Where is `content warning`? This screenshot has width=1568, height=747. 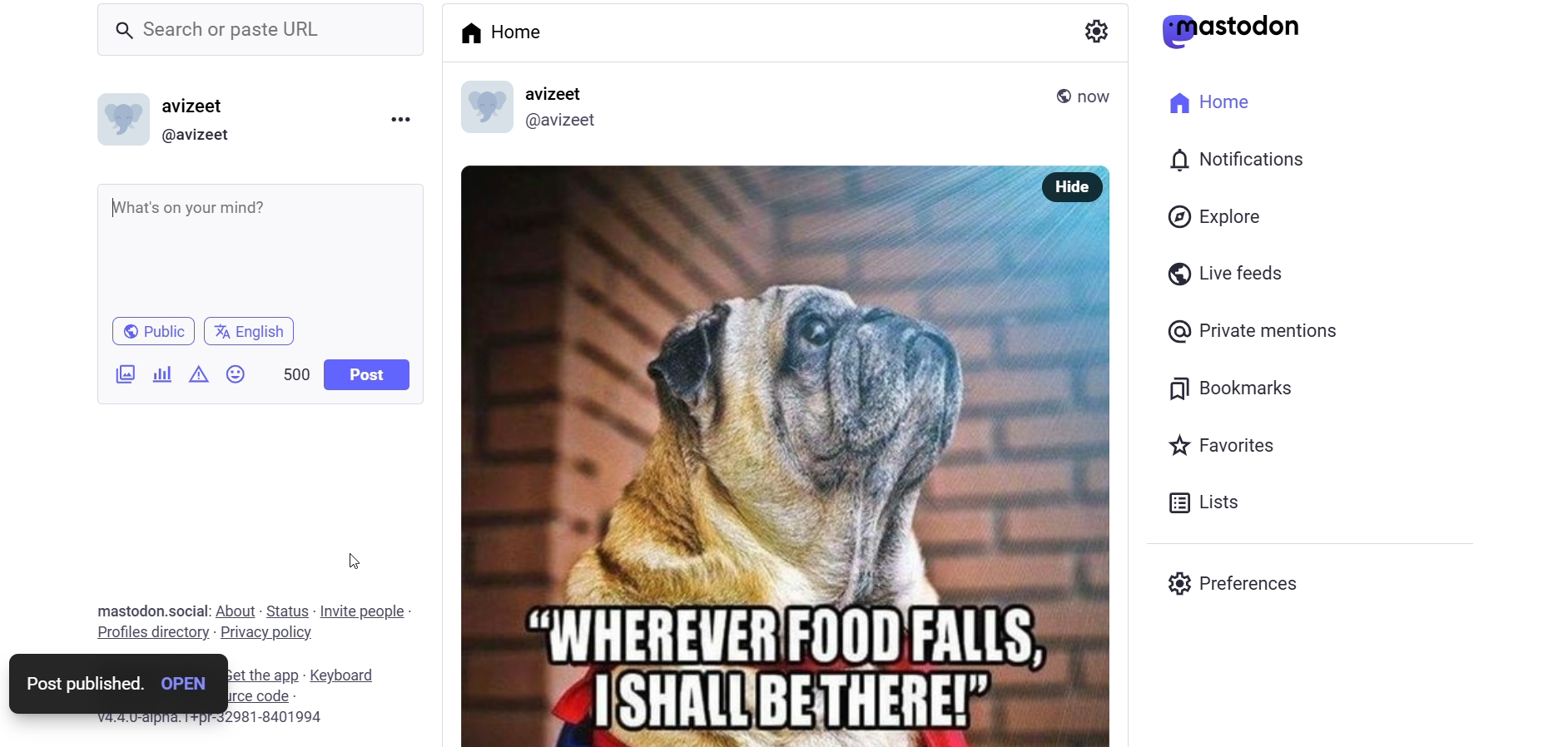 content warning is located at coordinates (199, 375).